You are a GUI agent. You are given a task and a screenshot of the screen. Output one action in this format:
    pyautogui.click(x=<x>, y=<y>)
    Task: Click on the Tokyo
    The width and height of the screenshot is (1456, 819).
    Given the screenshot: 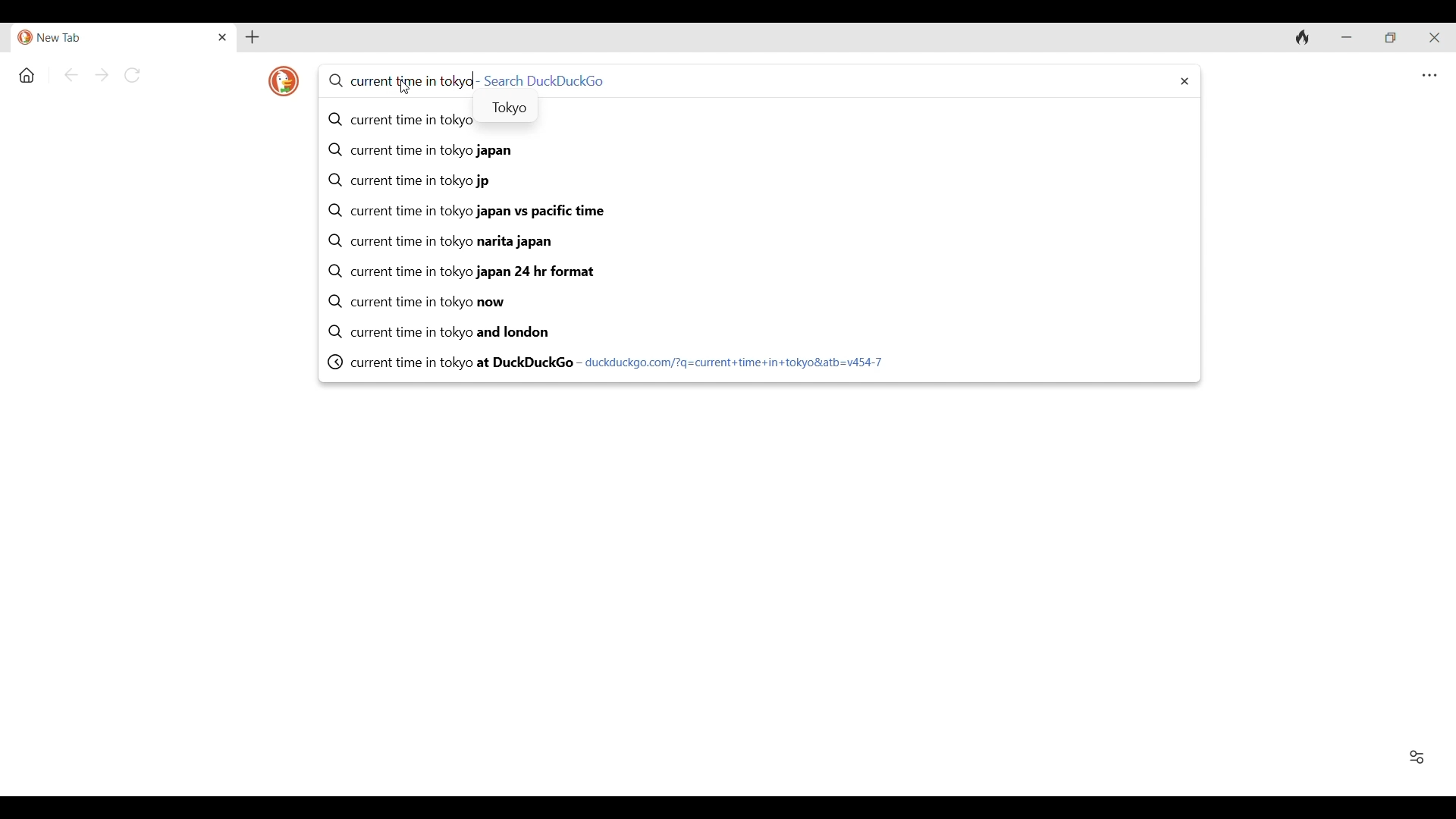 What is the action you would take?
    pyautogui.click(x=507, y=106)
    